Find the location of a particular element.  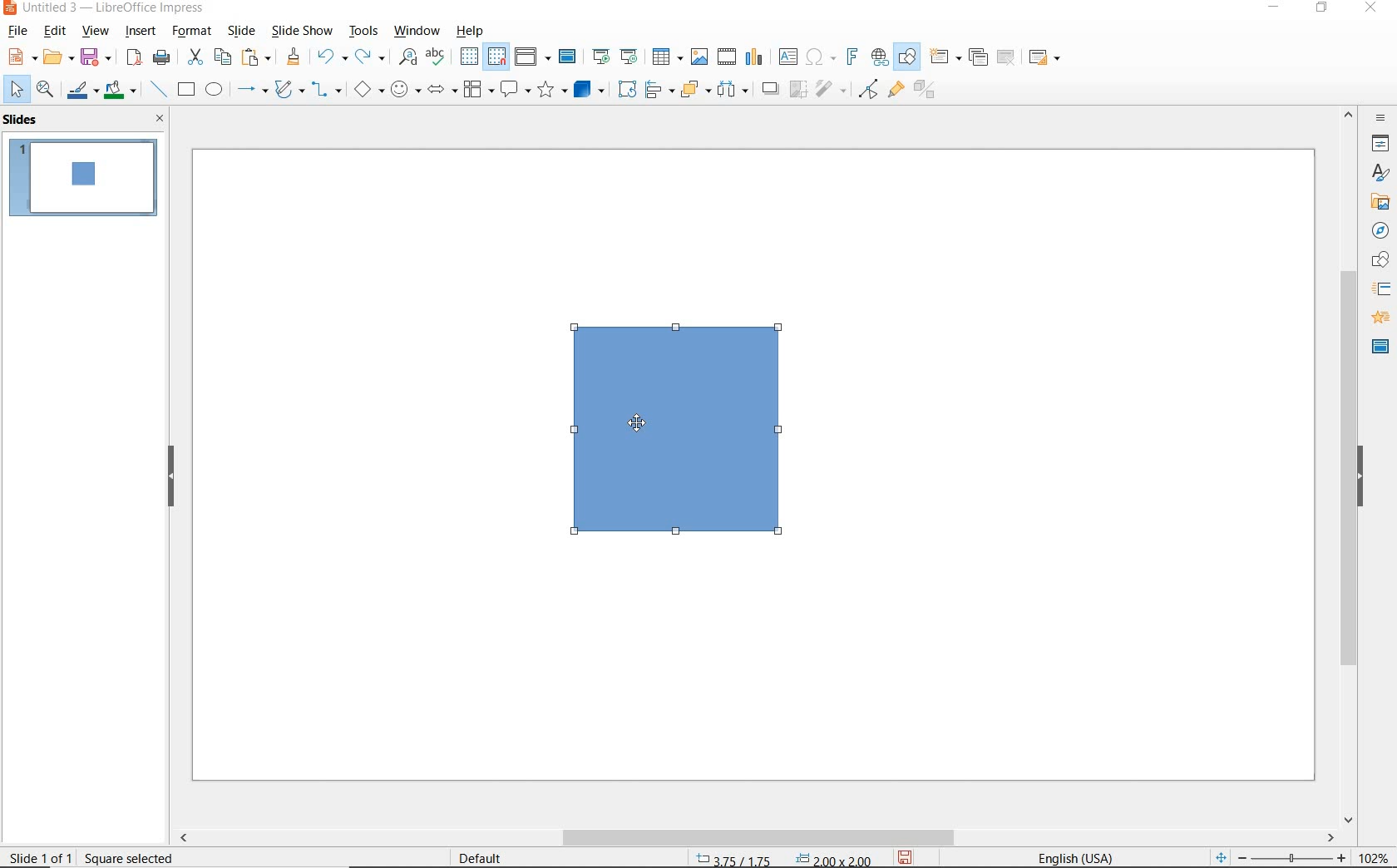

default is located at coordinates (484, 857).